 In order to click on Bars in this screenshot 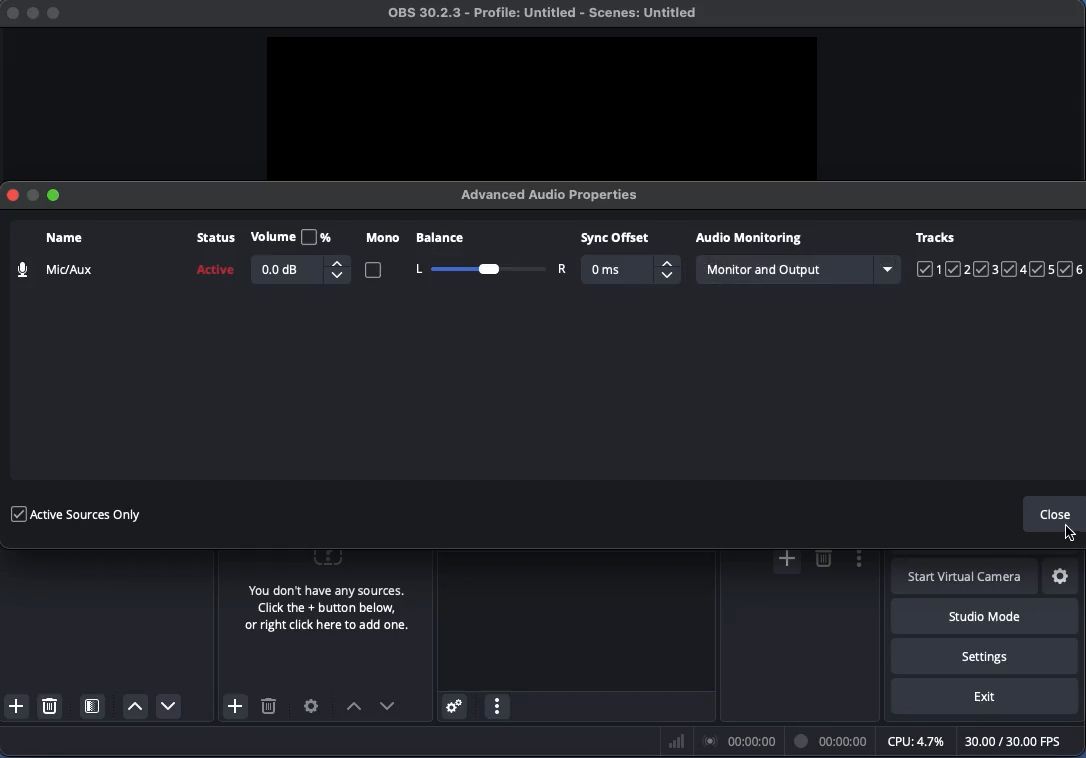, I will do `click(677, 741)`.